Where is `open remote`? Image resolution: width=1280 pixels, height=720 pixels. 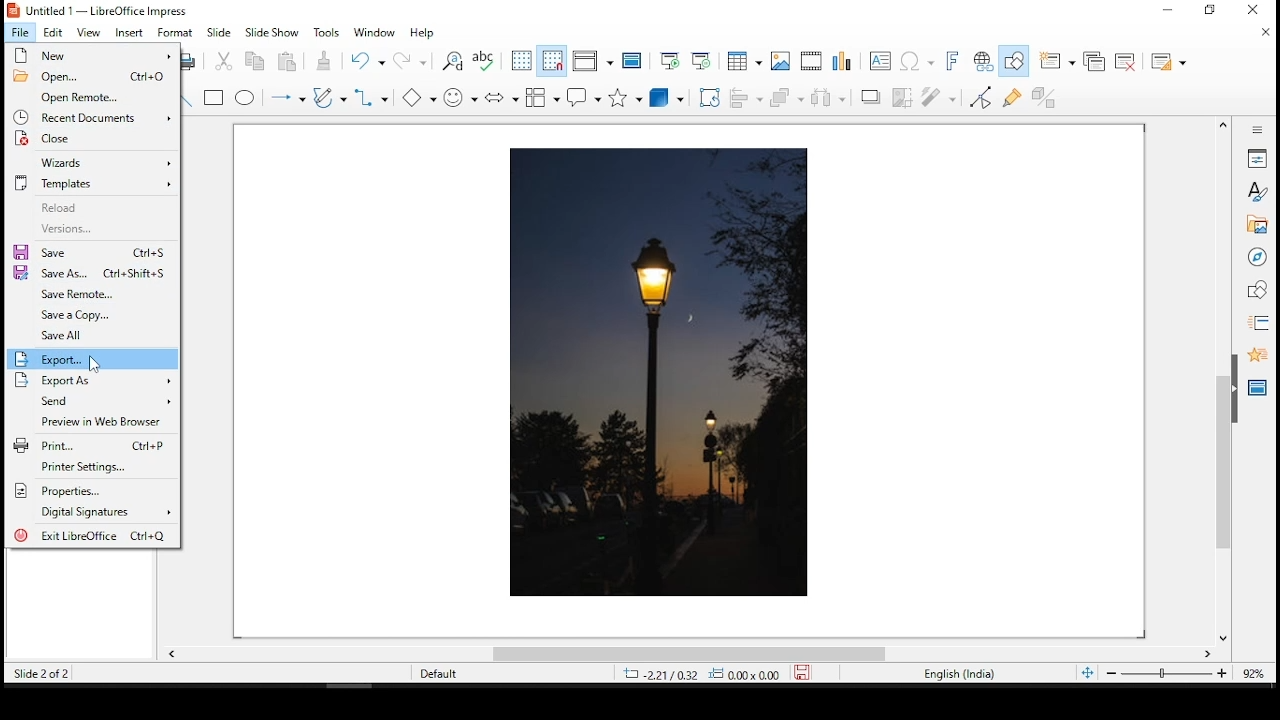 open remote is located at coordinates (92, 95).